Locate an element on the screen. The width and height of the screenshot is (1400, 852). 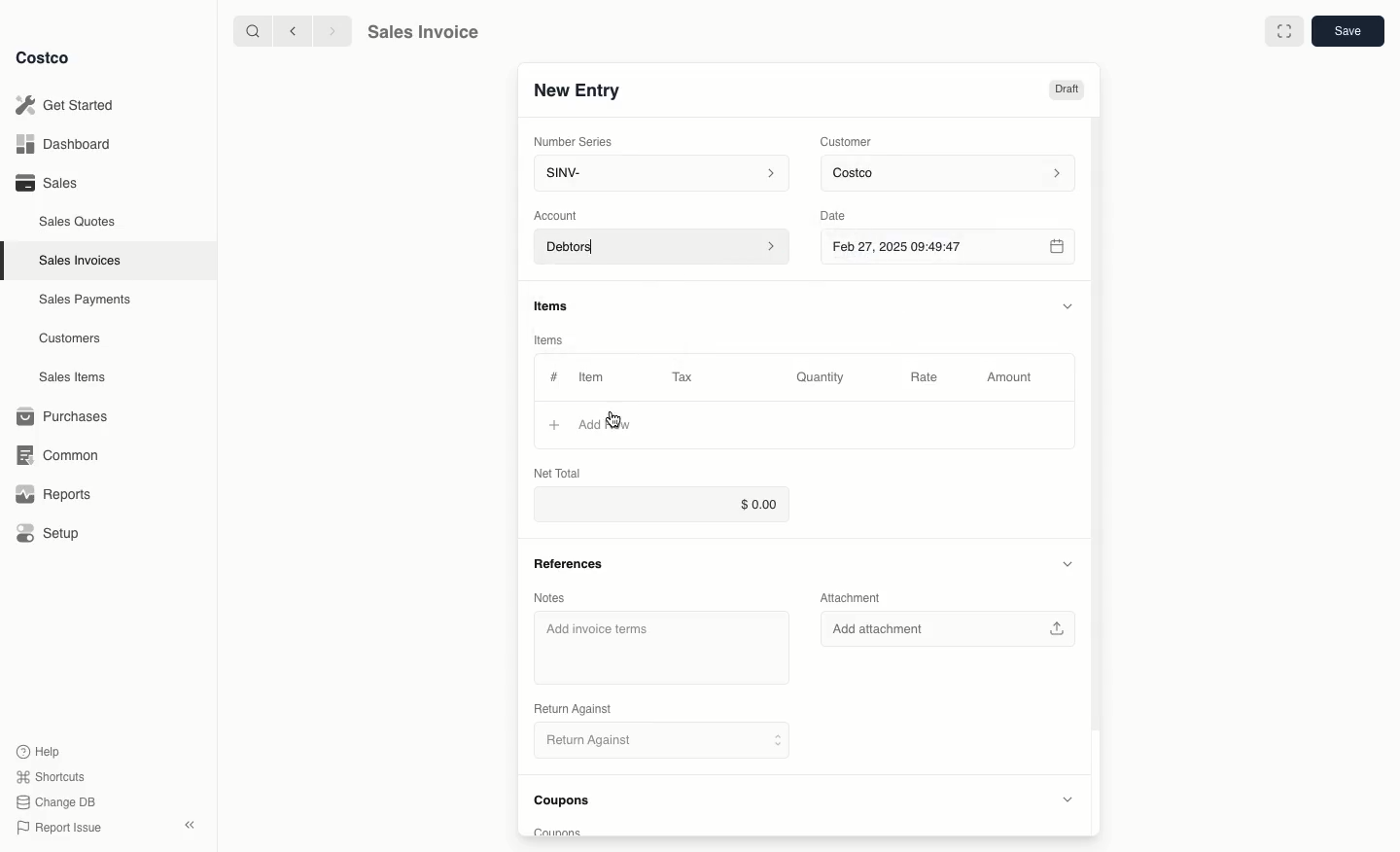
Hide is located at coordinates (1066, 564).